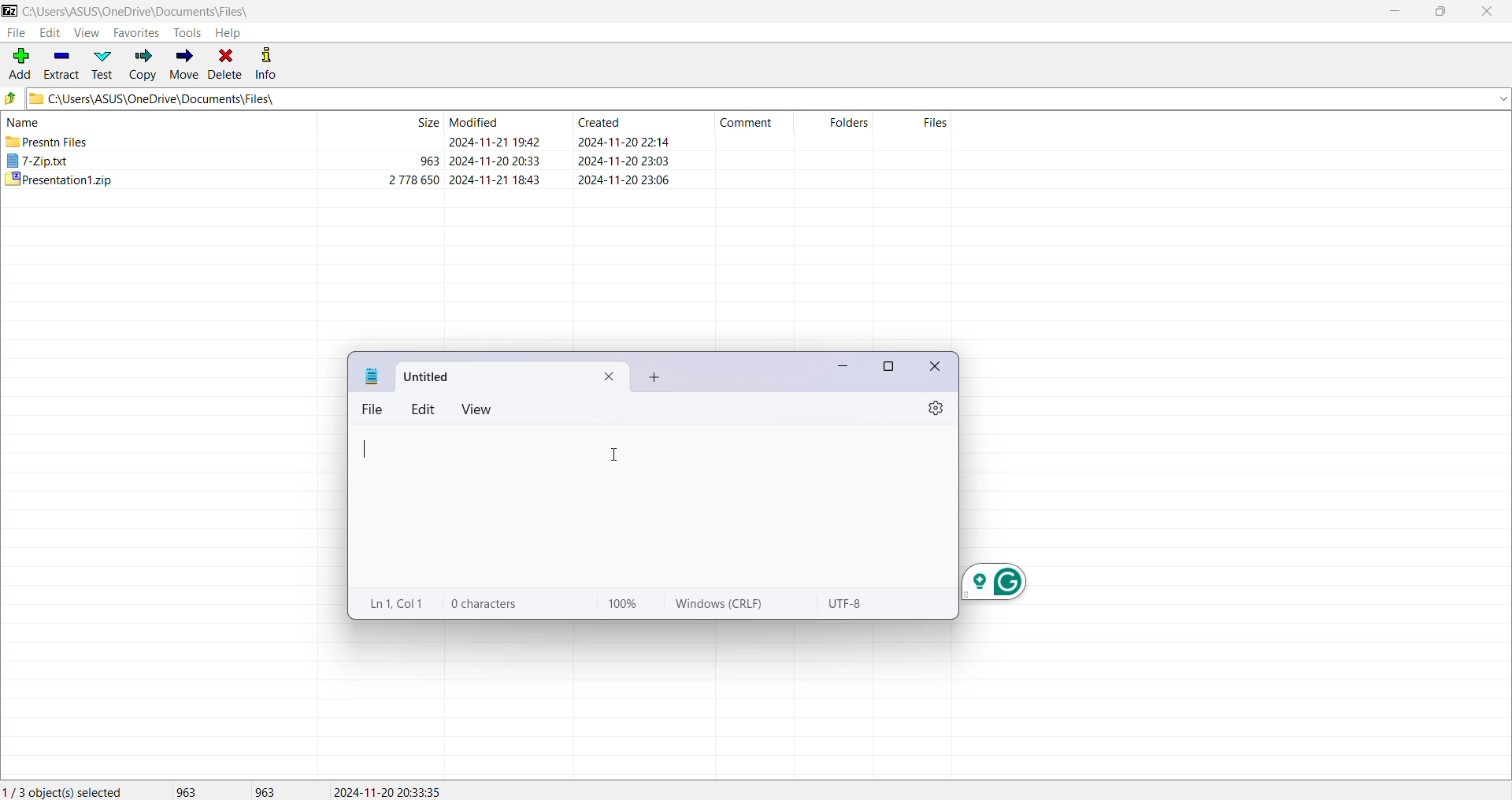 The image size is (1512, 800). I want to click on Help, so click(228, 32).